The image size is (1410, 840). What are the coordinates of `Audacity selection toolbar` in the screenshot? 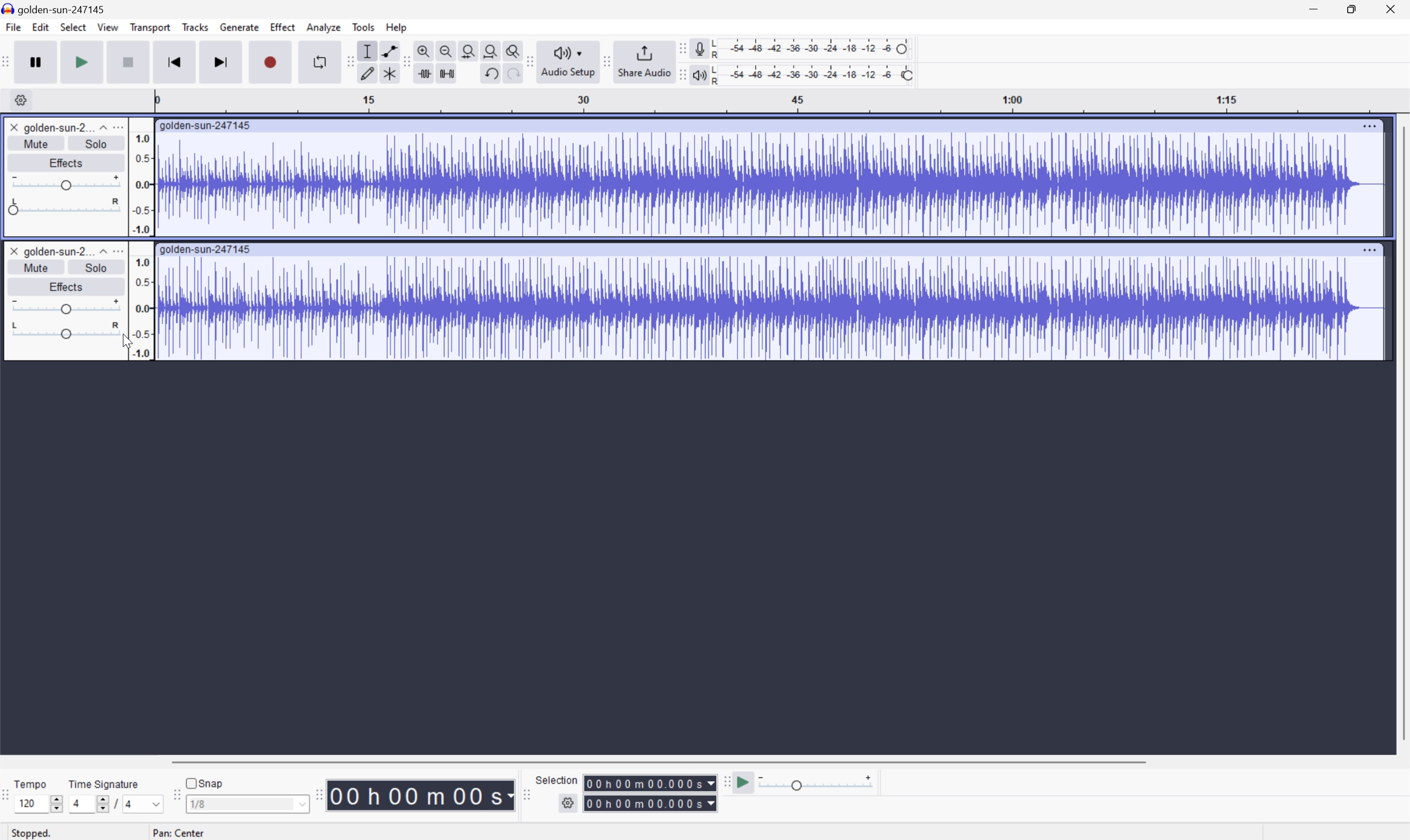 It's located at (523, 792).